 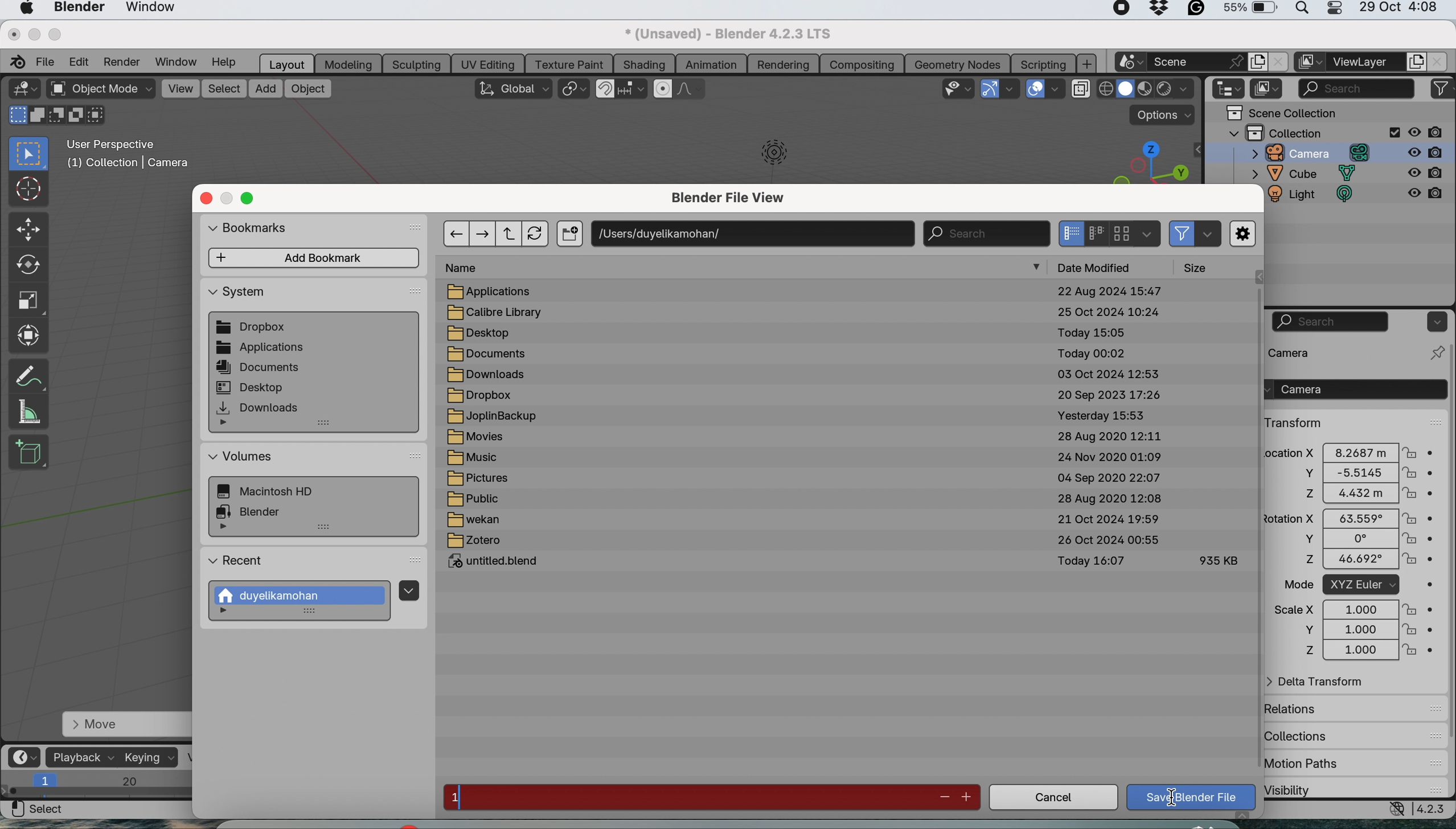 I want to click on movies, so click(x=481, y=438).